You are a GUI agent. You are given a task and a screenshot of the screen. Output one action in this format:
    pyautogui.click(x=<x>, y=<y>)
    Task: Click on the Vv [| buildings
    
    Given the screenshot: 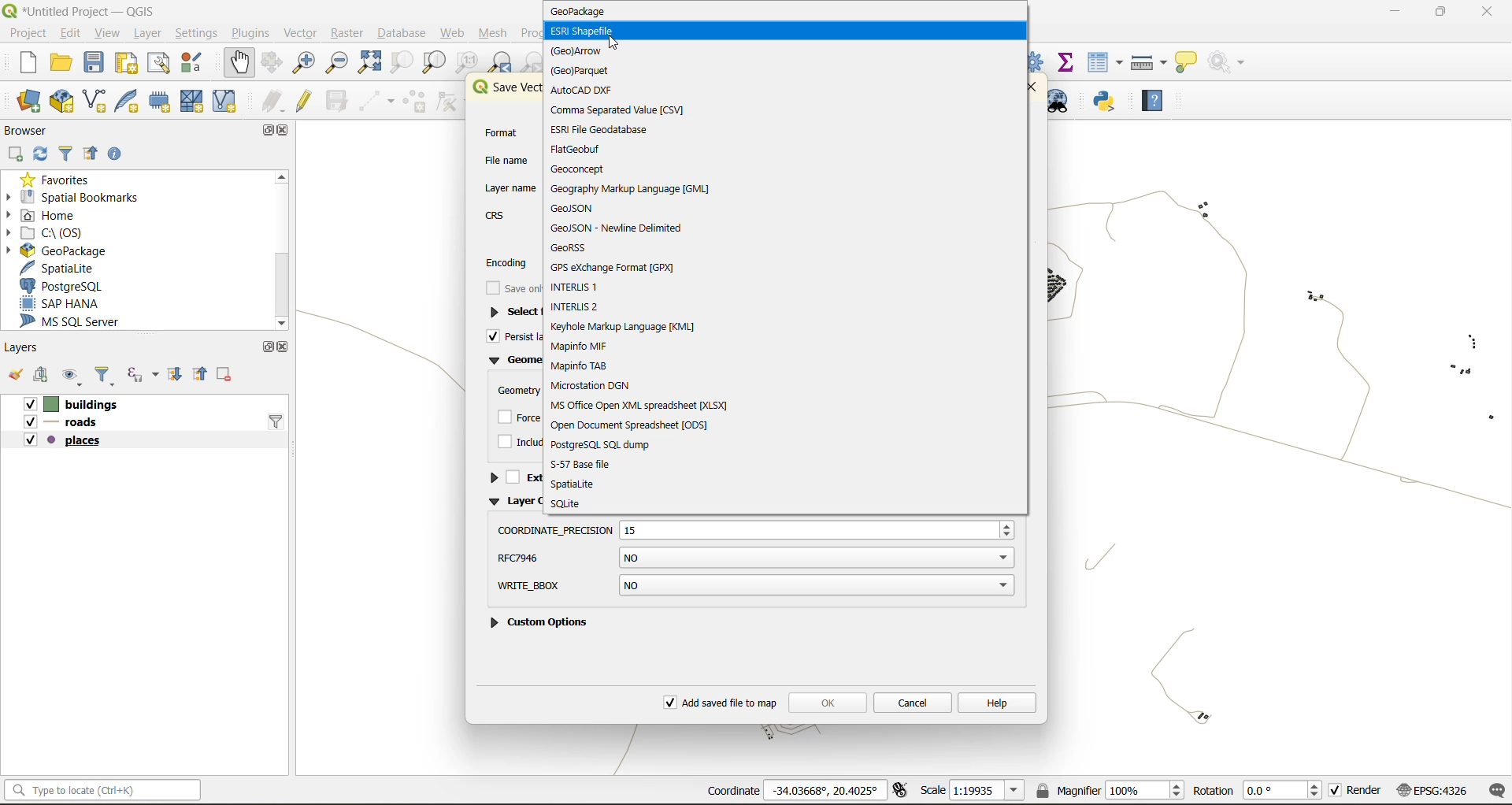 What is the action you would take?
    pyautogui.click(x=78, y=403)
    